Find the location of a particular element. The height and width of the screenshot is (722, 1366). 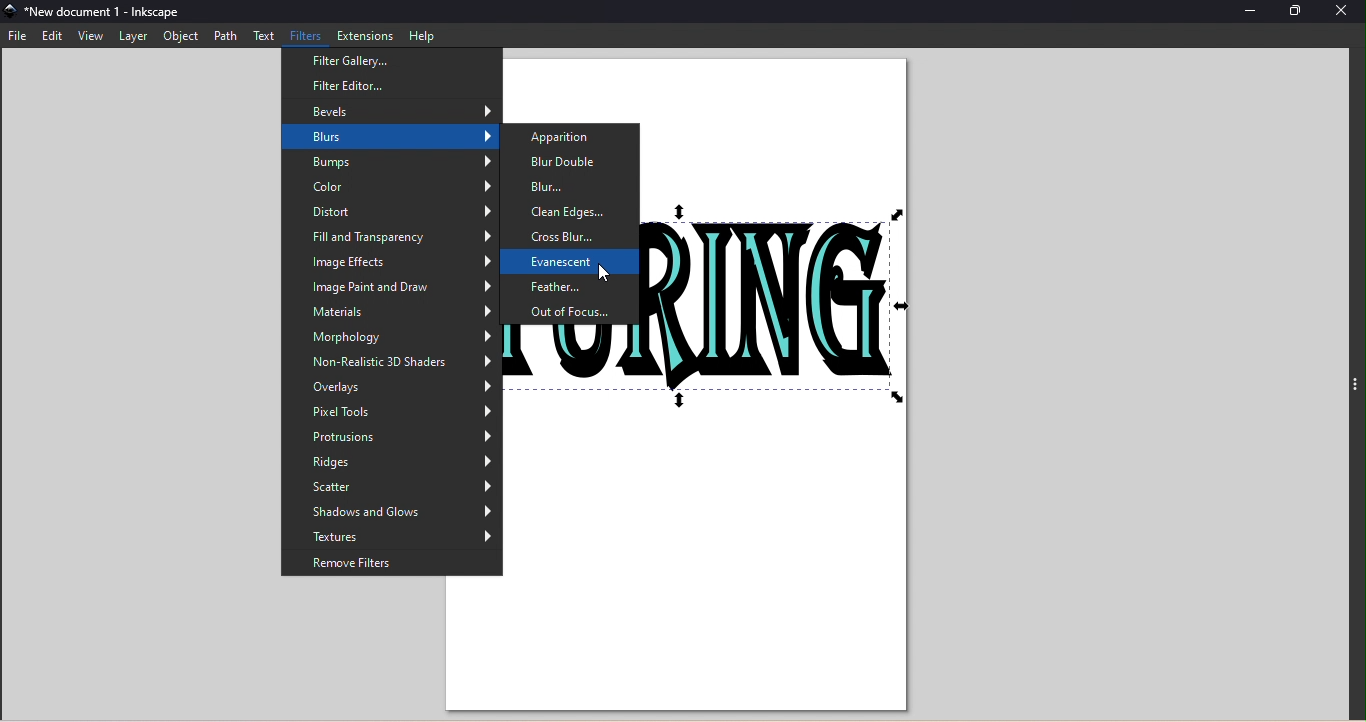

Apparition is located at coordinates (567, 139).